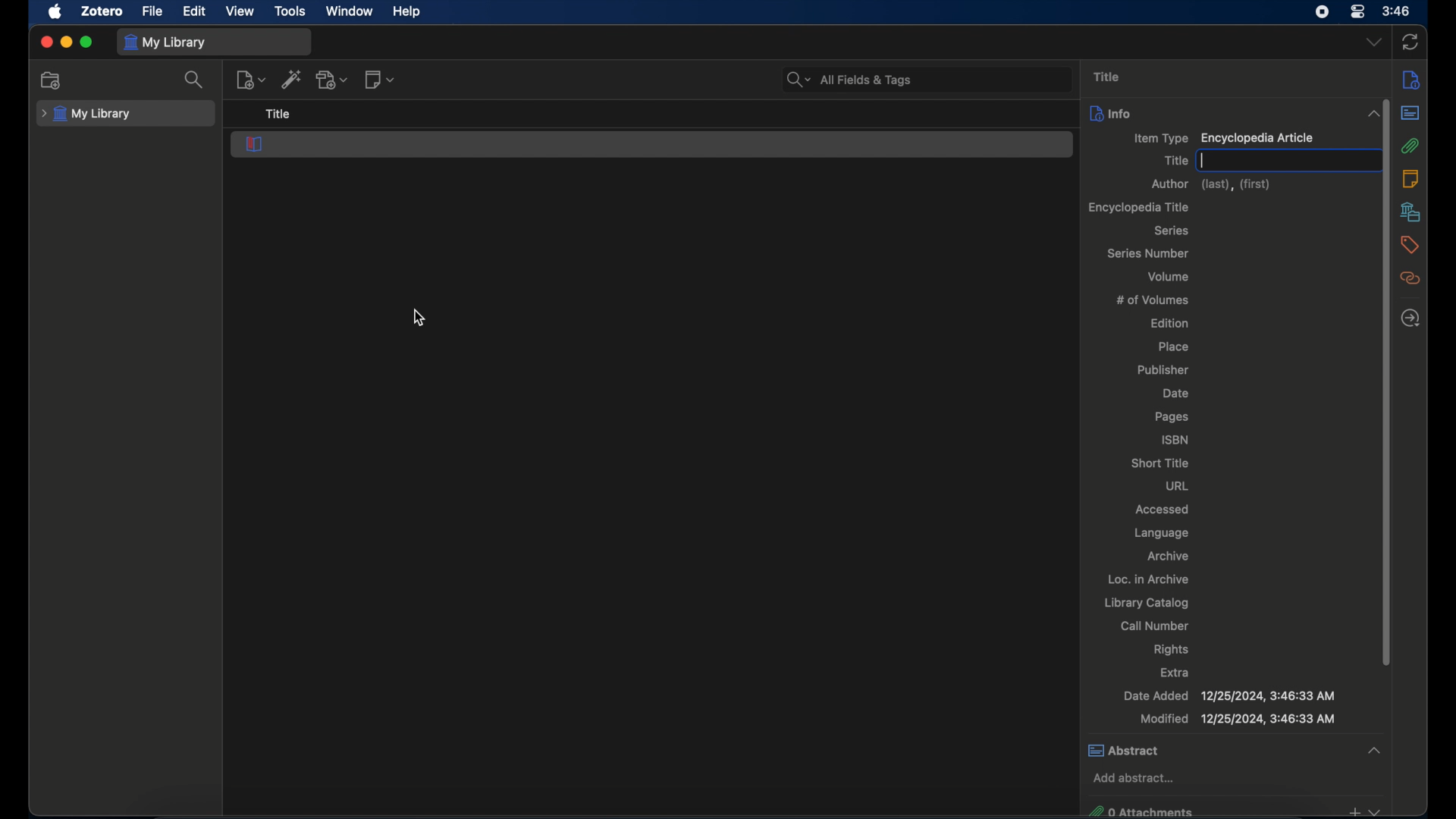 The height and width of the screenshot is (819, 1456). Describe the element at coordinates (1175, 394) in the screenshot. I see `date` at that location.